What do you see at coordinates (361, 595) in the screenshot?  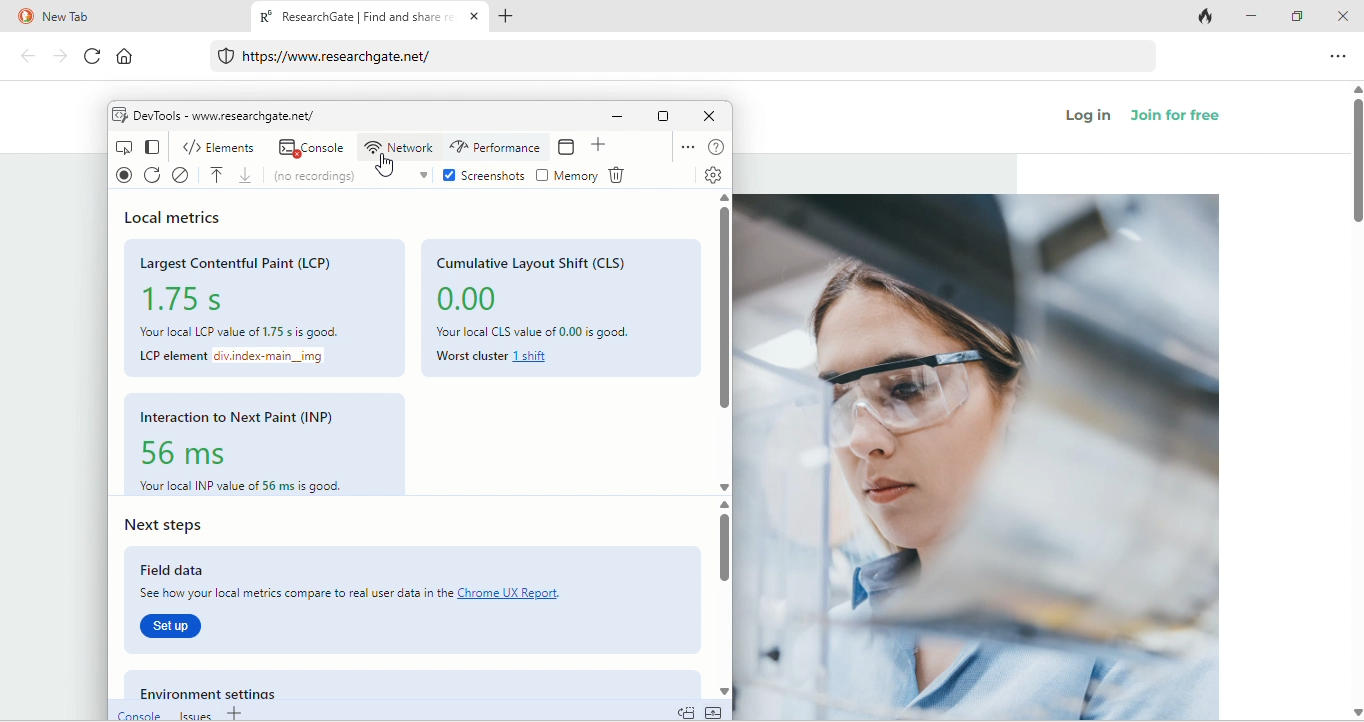 I see `see how your local metrics compare to real user data in the chrome UX Report` at bounding box center [361, 595].